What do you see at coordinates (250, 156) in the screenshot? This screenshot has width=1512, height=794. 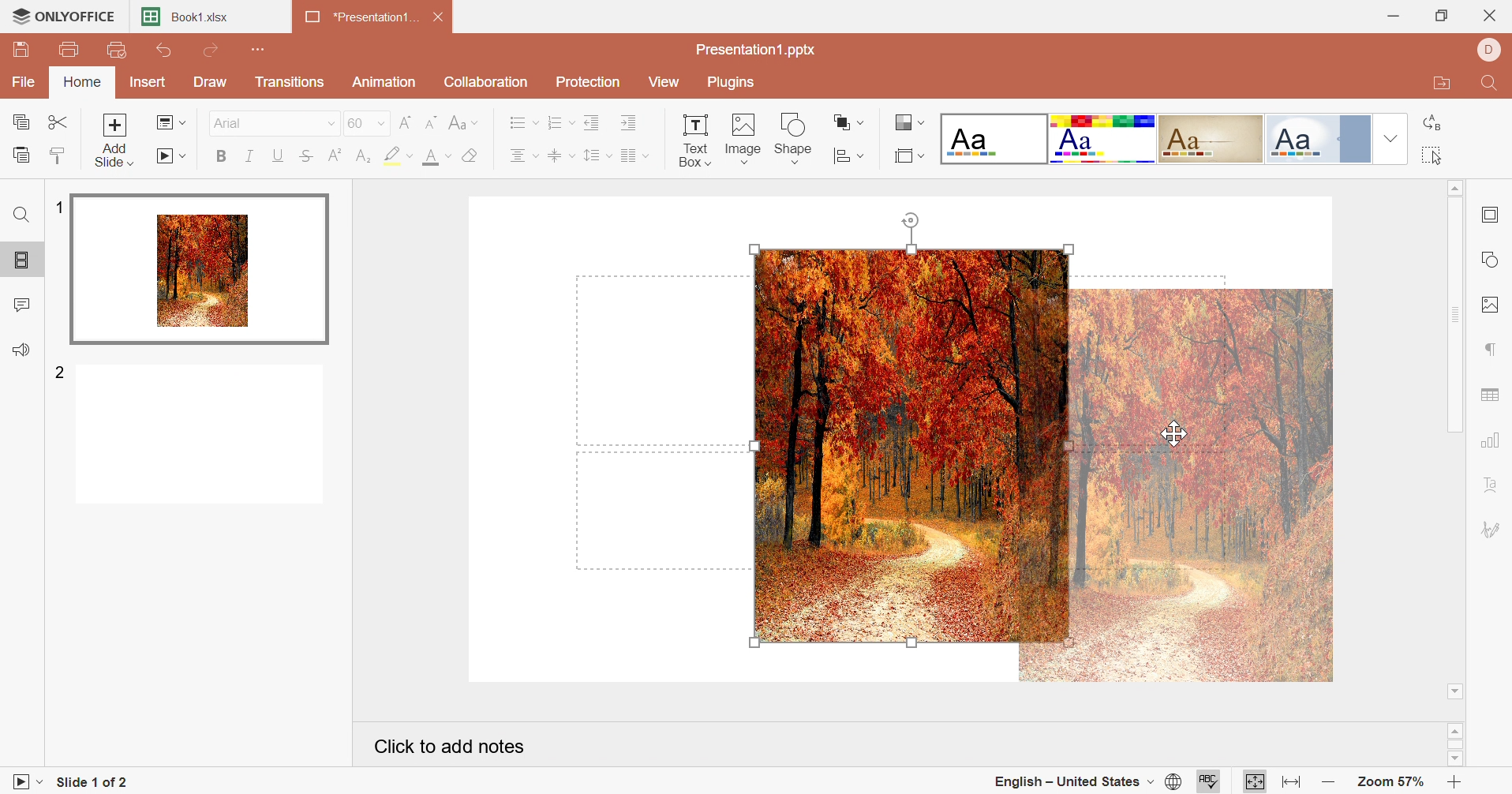 I see `Italic` at bounding box center [250, 156].